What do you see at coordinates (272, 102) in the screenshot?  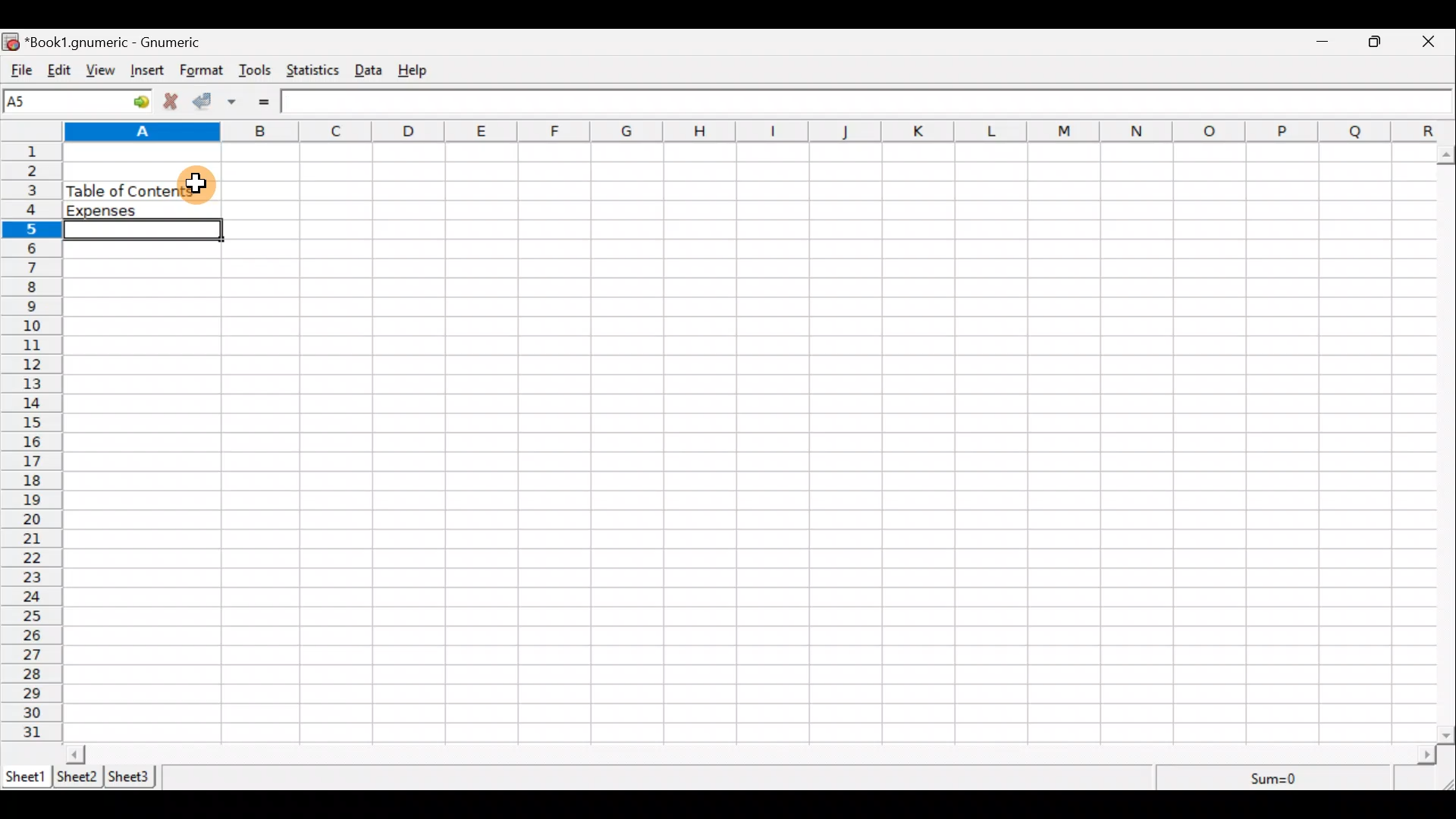 I see `Enter formula` at bounding box center [272, 102].